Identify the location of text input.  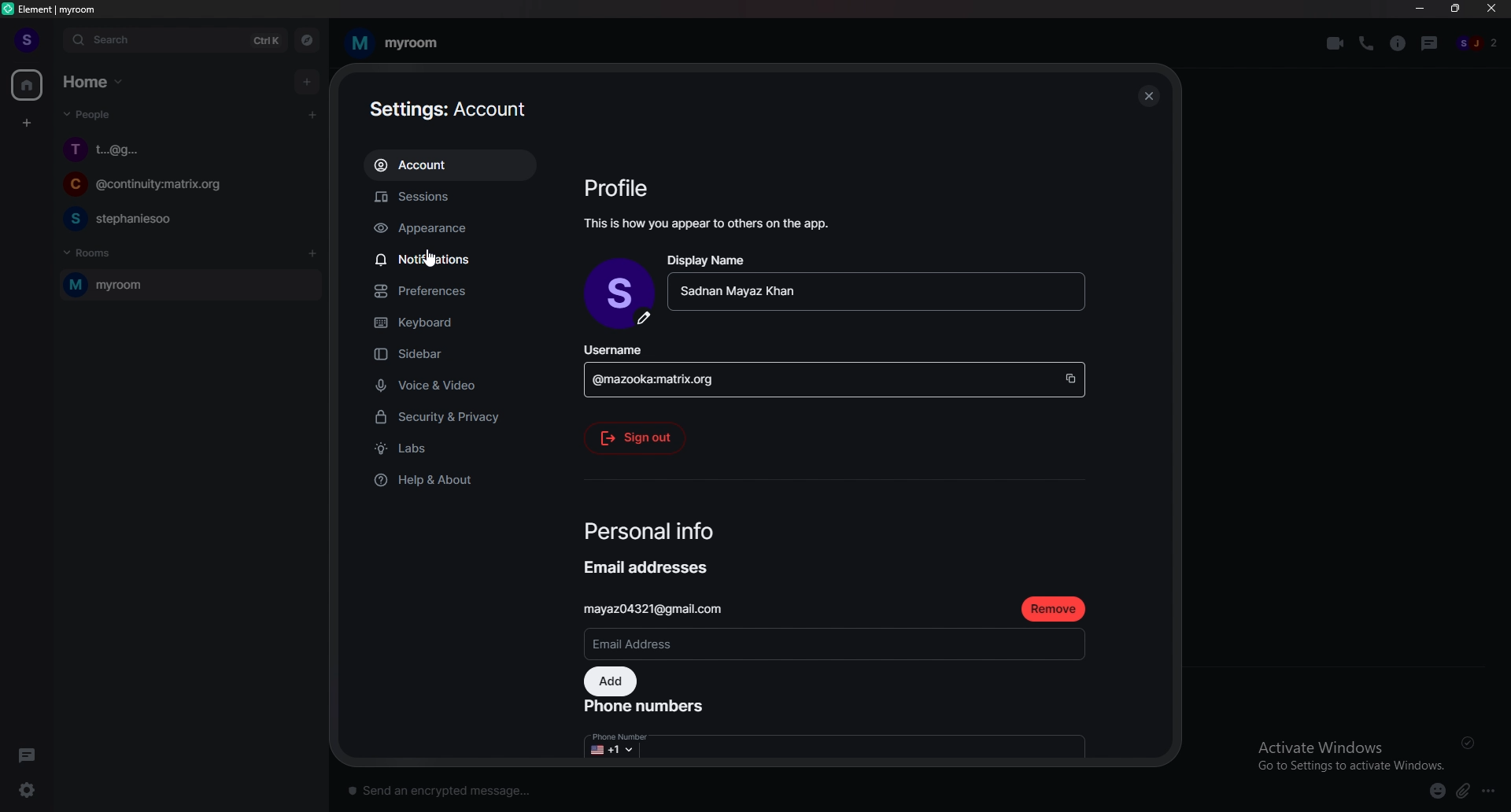
(784, 788).